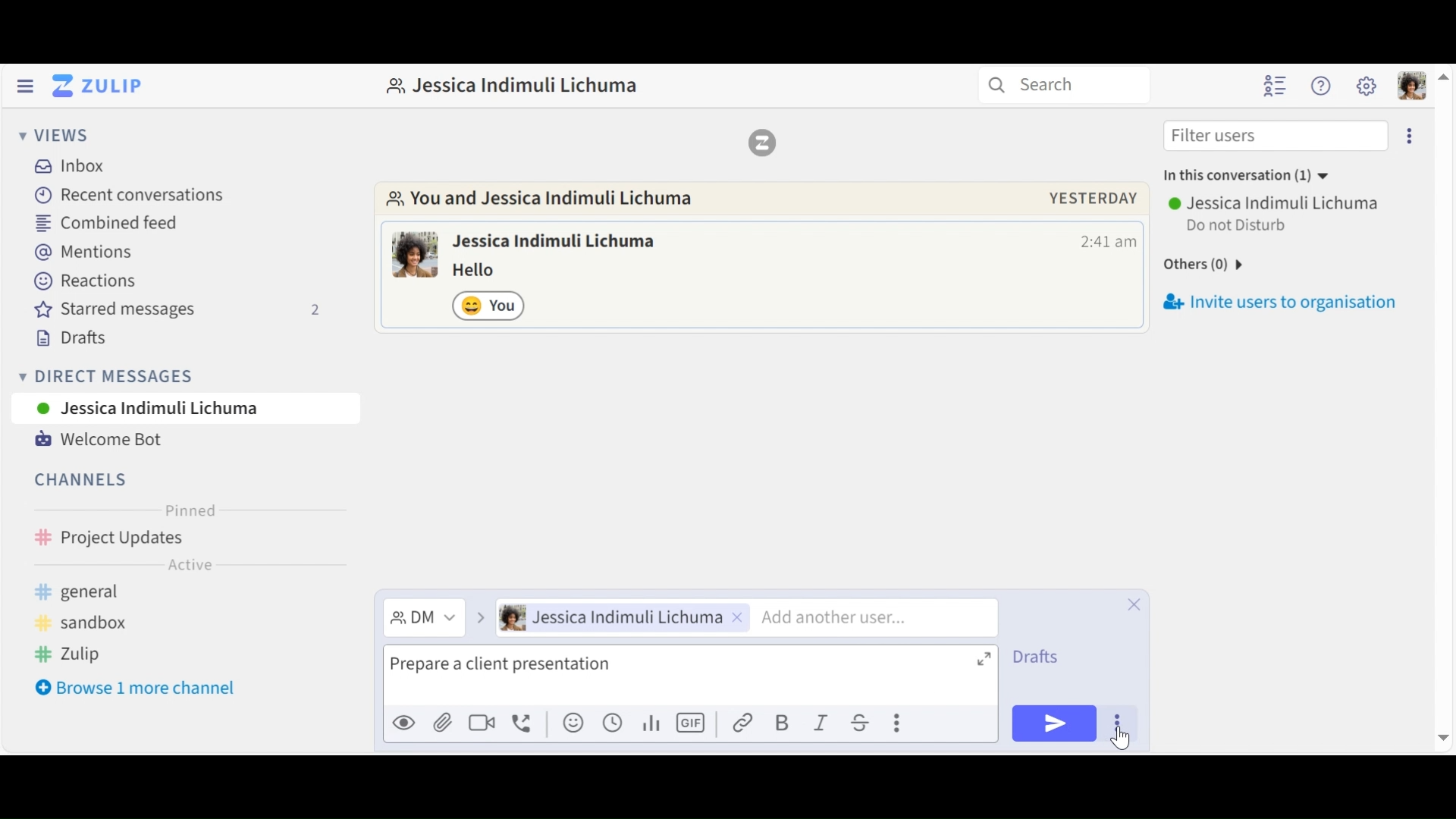 This screenshot has height=819, width=1456. Describe the element at coordinates (491, 305) in the screenshot. I see `Click to remove emoji reaction` at that location.